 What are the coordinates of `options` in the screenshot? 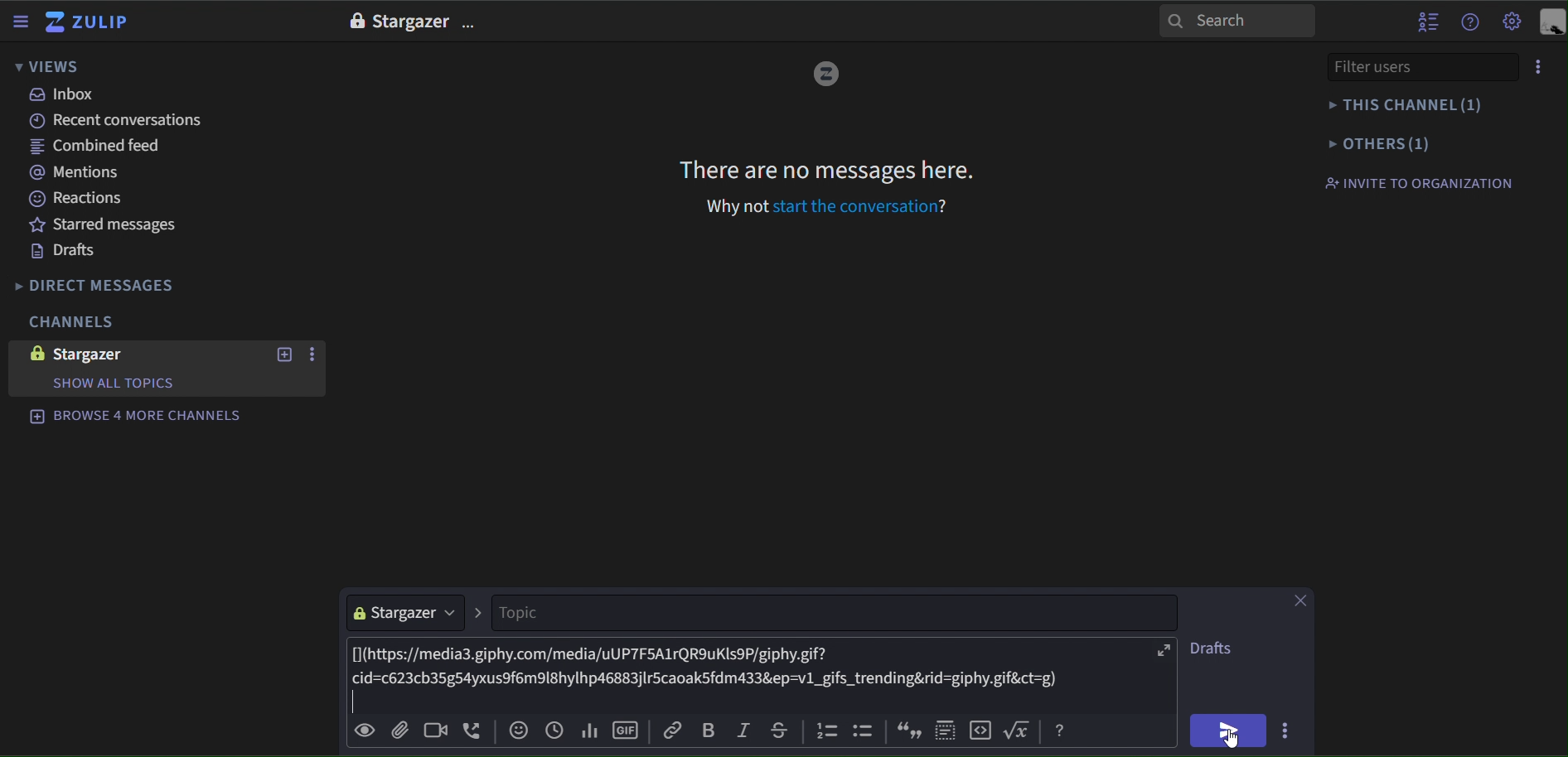 It's located at (315, 355).